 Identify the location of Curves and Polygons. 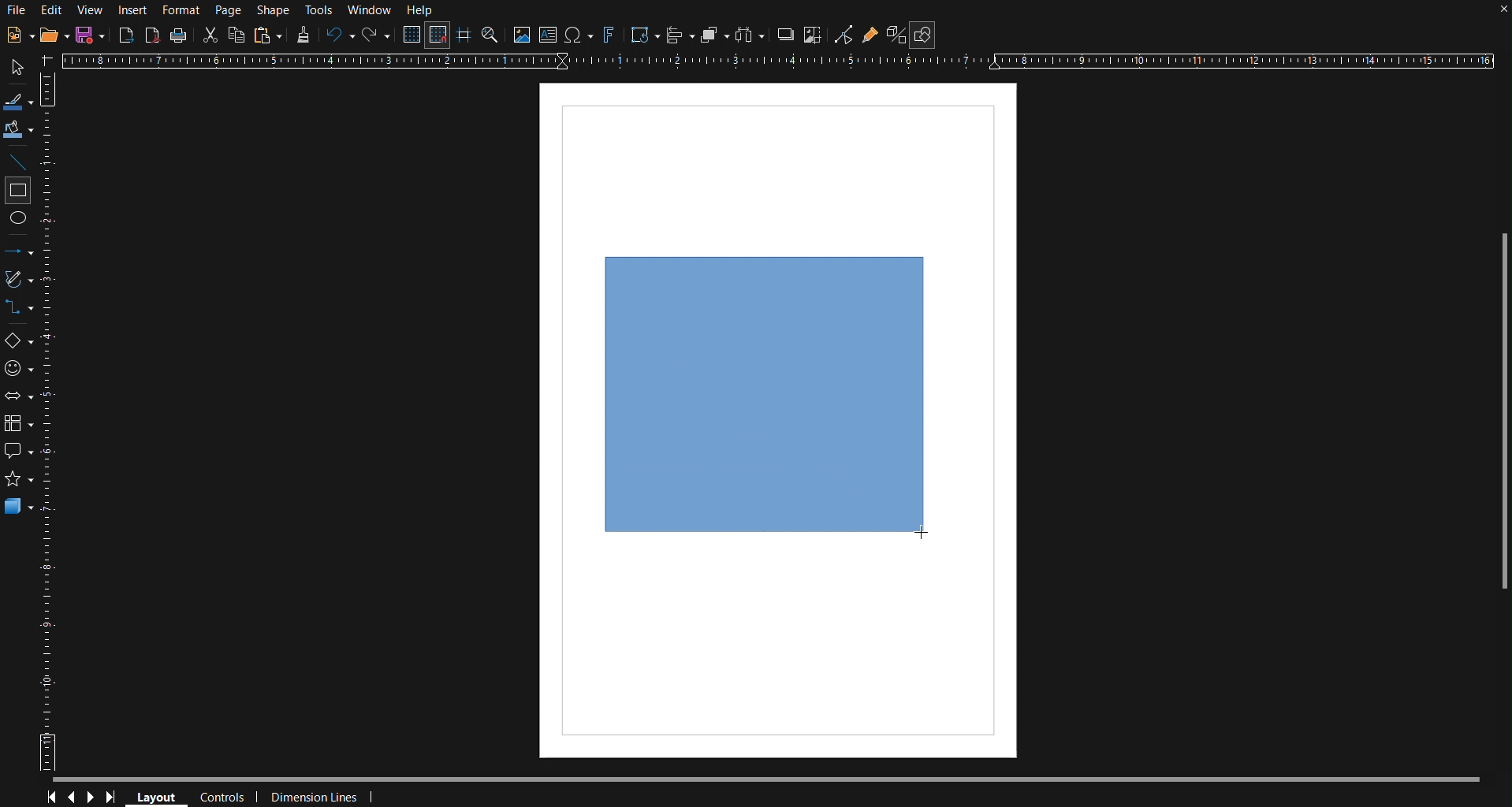
(19, 280).